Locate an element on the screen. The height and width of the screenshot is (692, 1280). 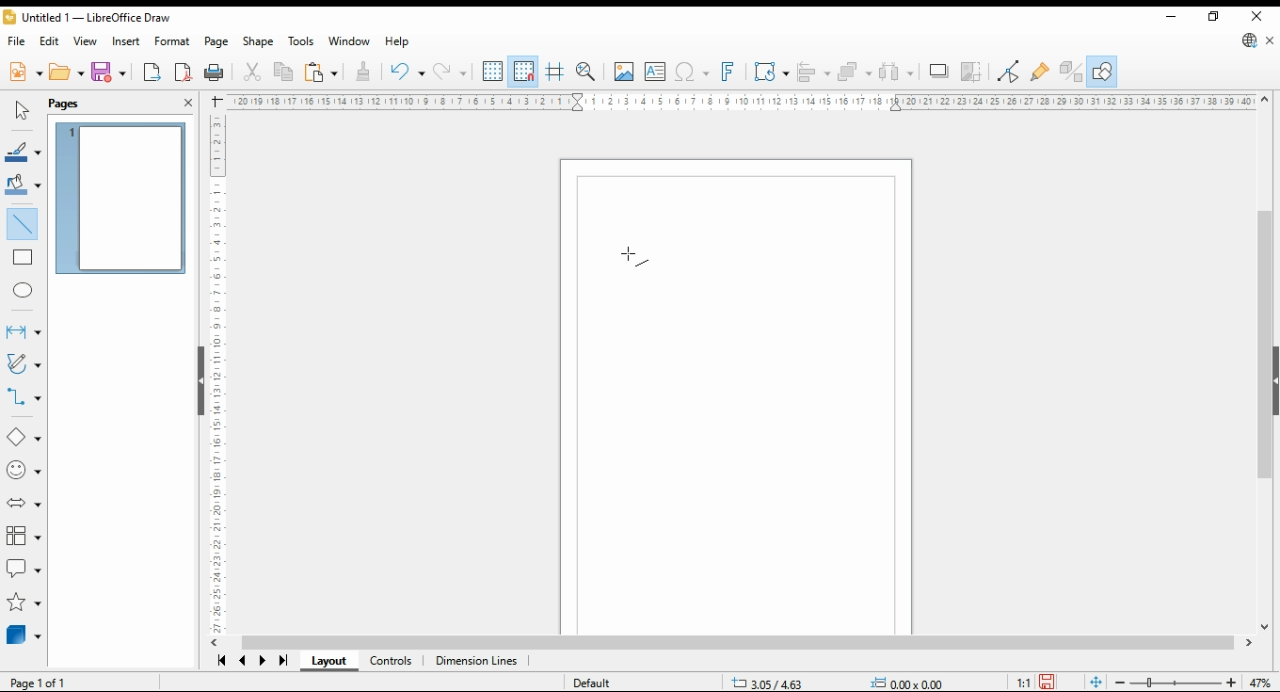
pan and zoom is located at coordinates (586, 72).